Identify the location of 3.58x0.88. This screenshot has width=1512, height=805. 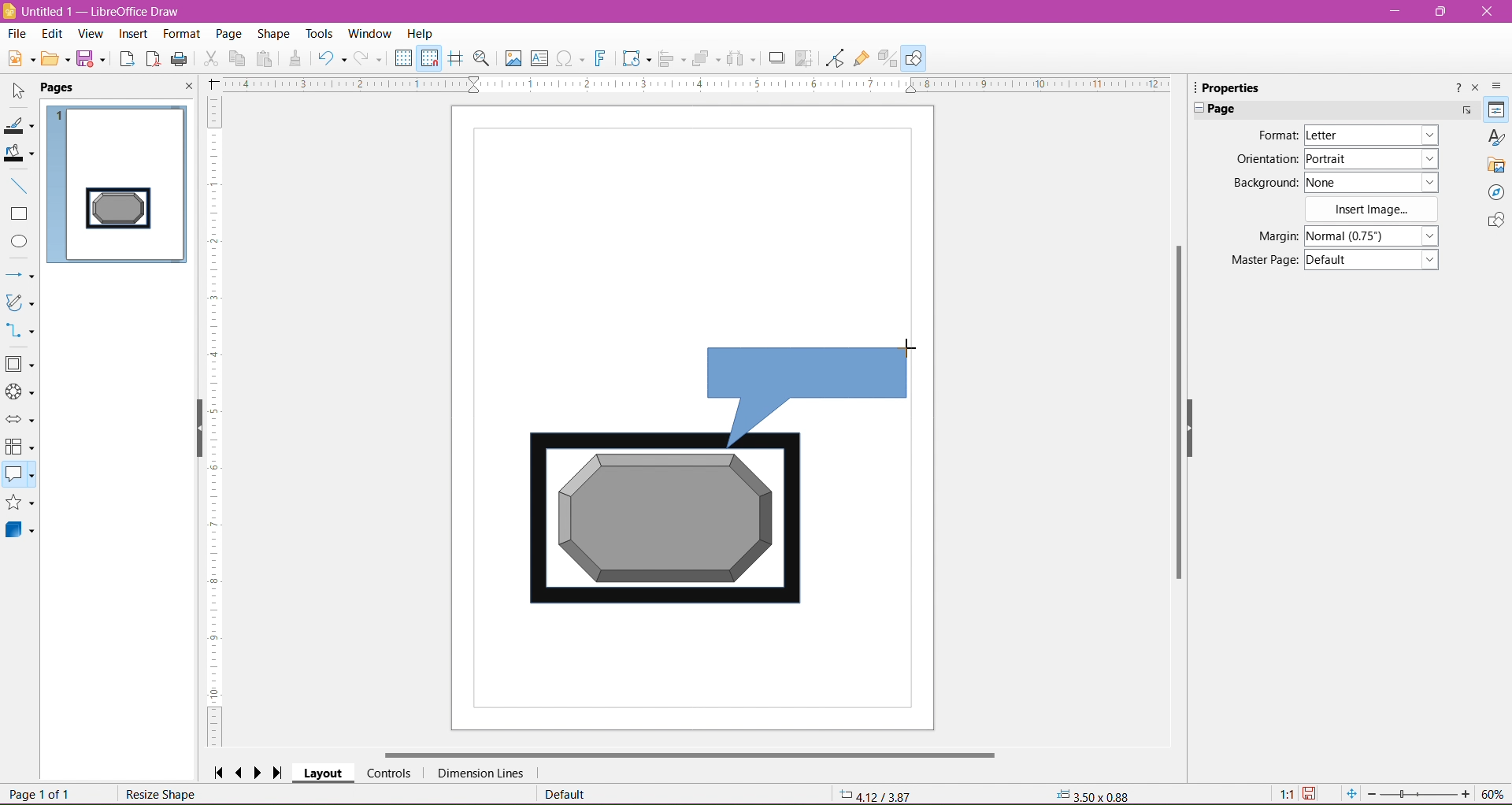
(1089, 794).